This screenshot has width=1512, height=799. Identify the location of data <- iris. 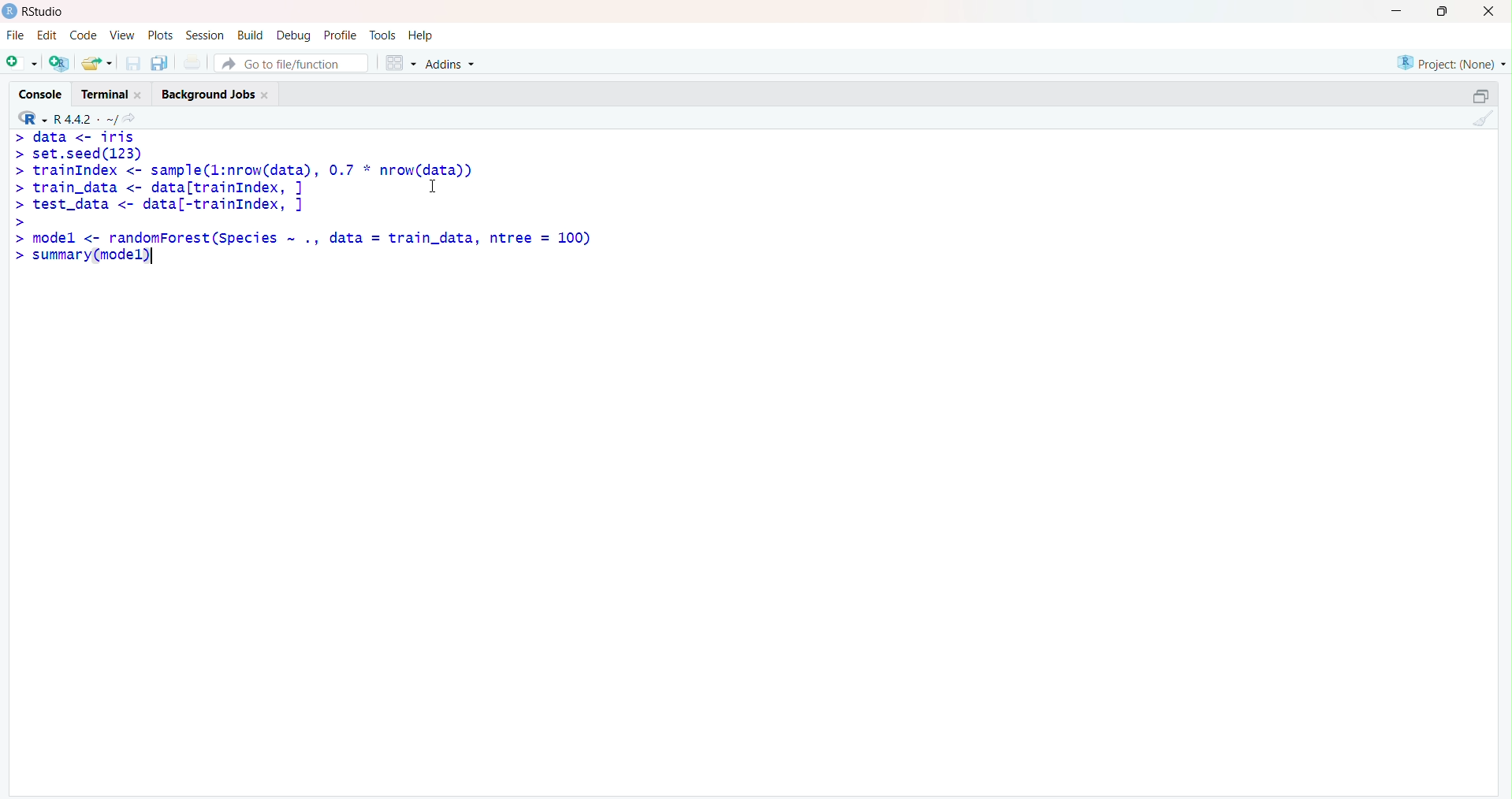
(85, 136).